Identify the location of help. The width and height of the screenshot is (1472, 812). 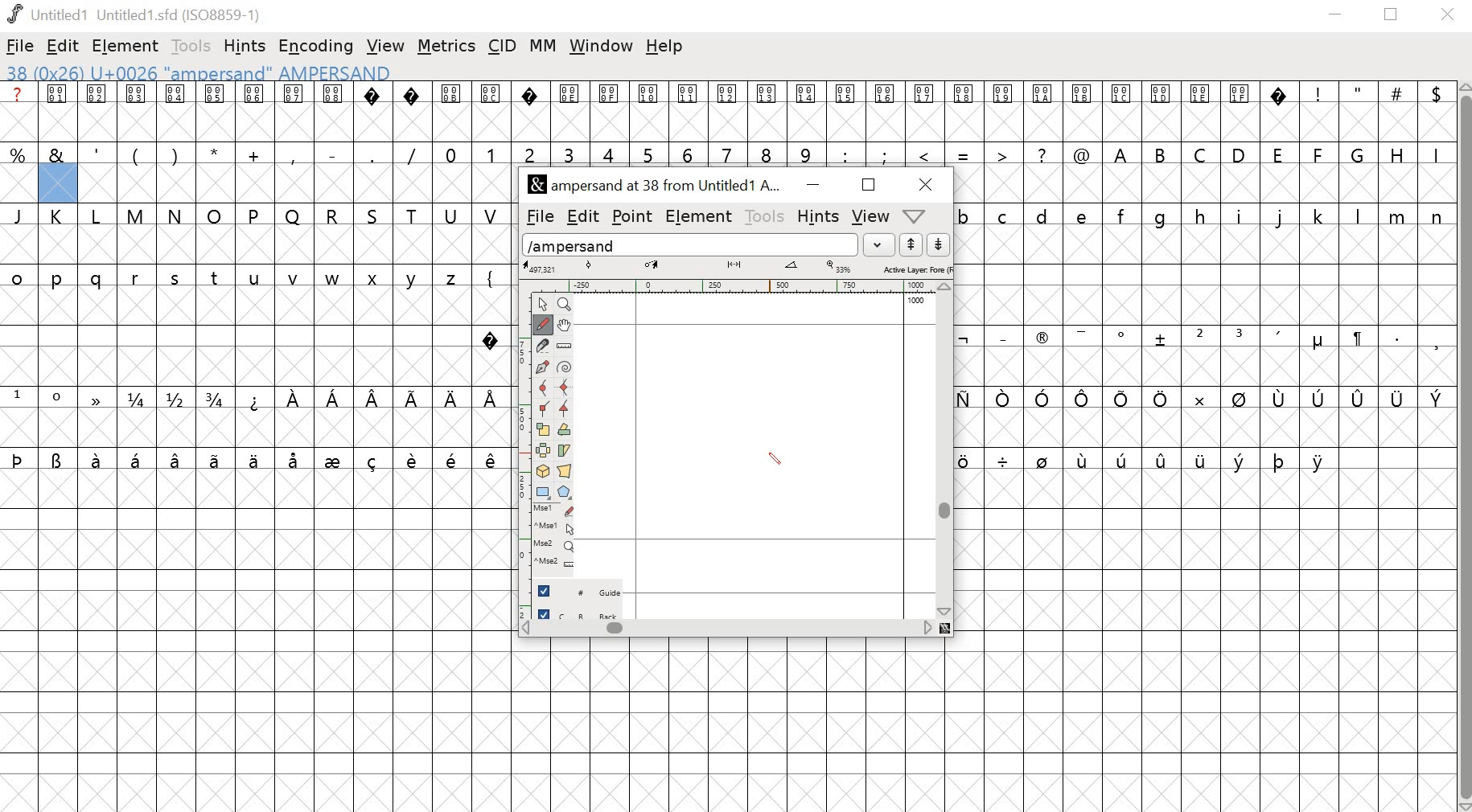
(667, 47).